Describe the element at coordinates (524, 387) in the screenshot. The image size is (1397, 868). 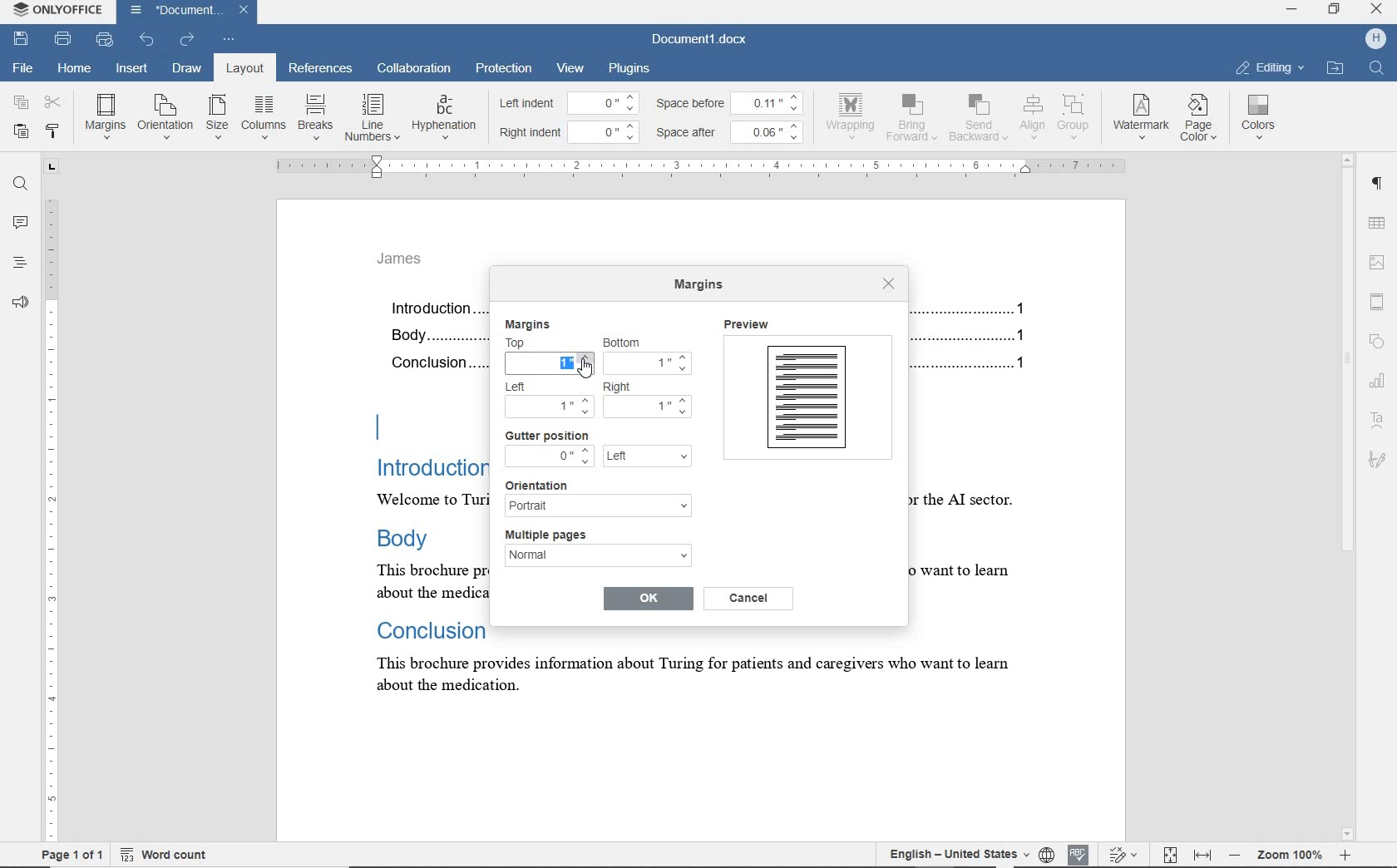
I see `Left` at that location.